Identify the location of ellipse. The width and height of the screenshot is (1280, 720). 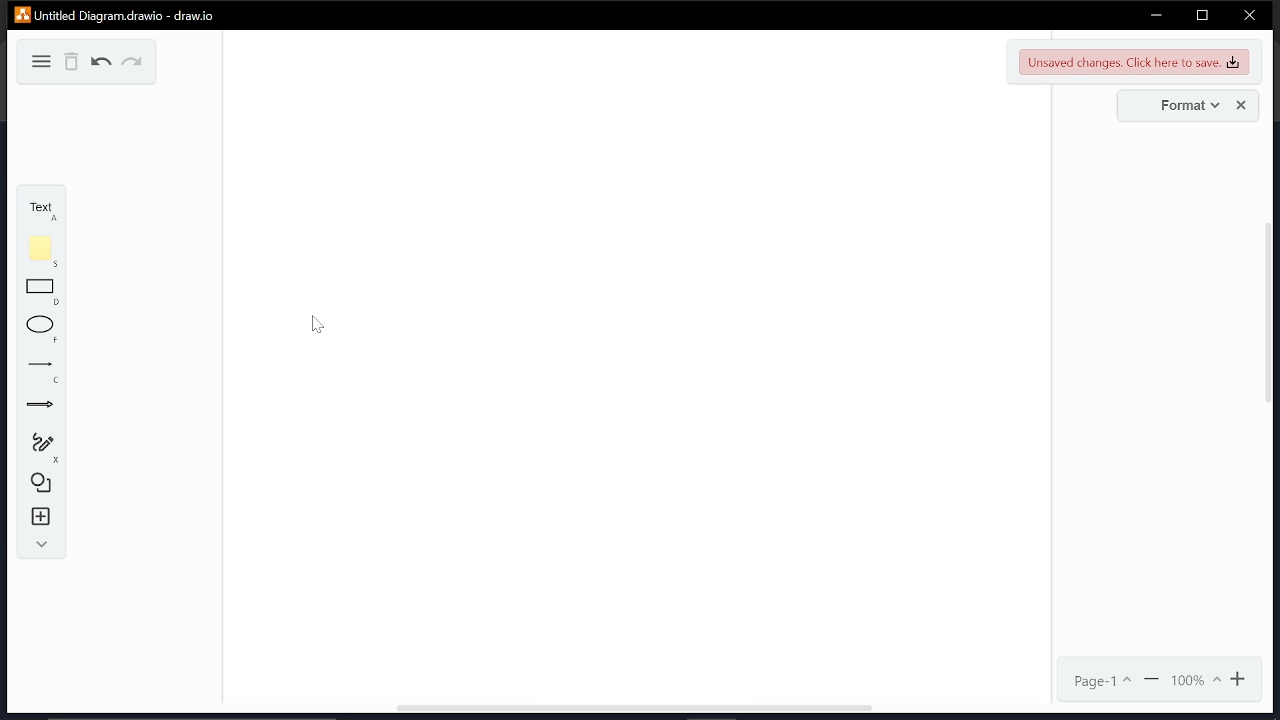
(42, 330).